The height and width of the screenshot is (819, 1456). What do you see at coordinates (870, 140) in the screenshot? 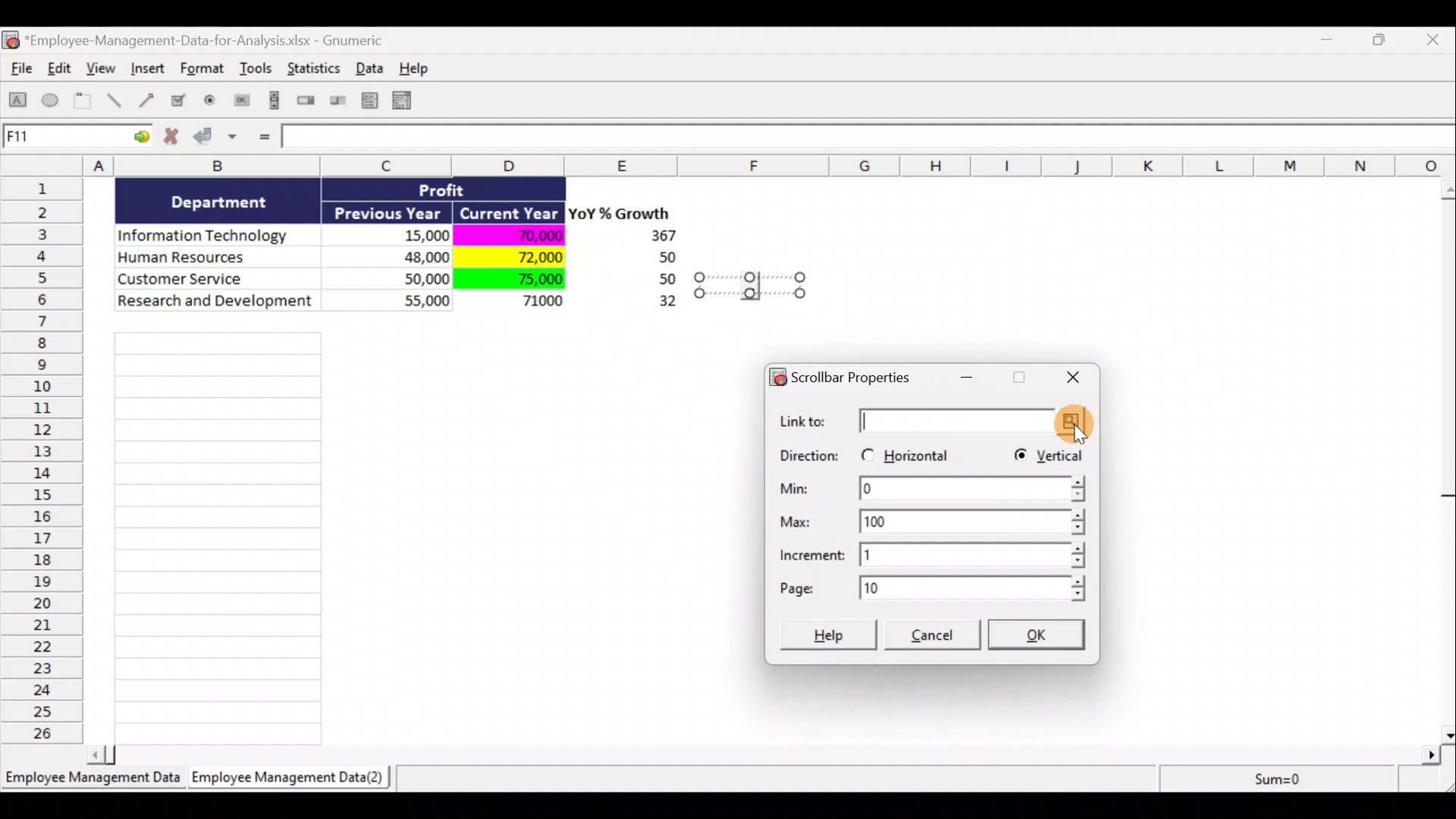
I see `Formula bar` at bounding box center [870, 140].